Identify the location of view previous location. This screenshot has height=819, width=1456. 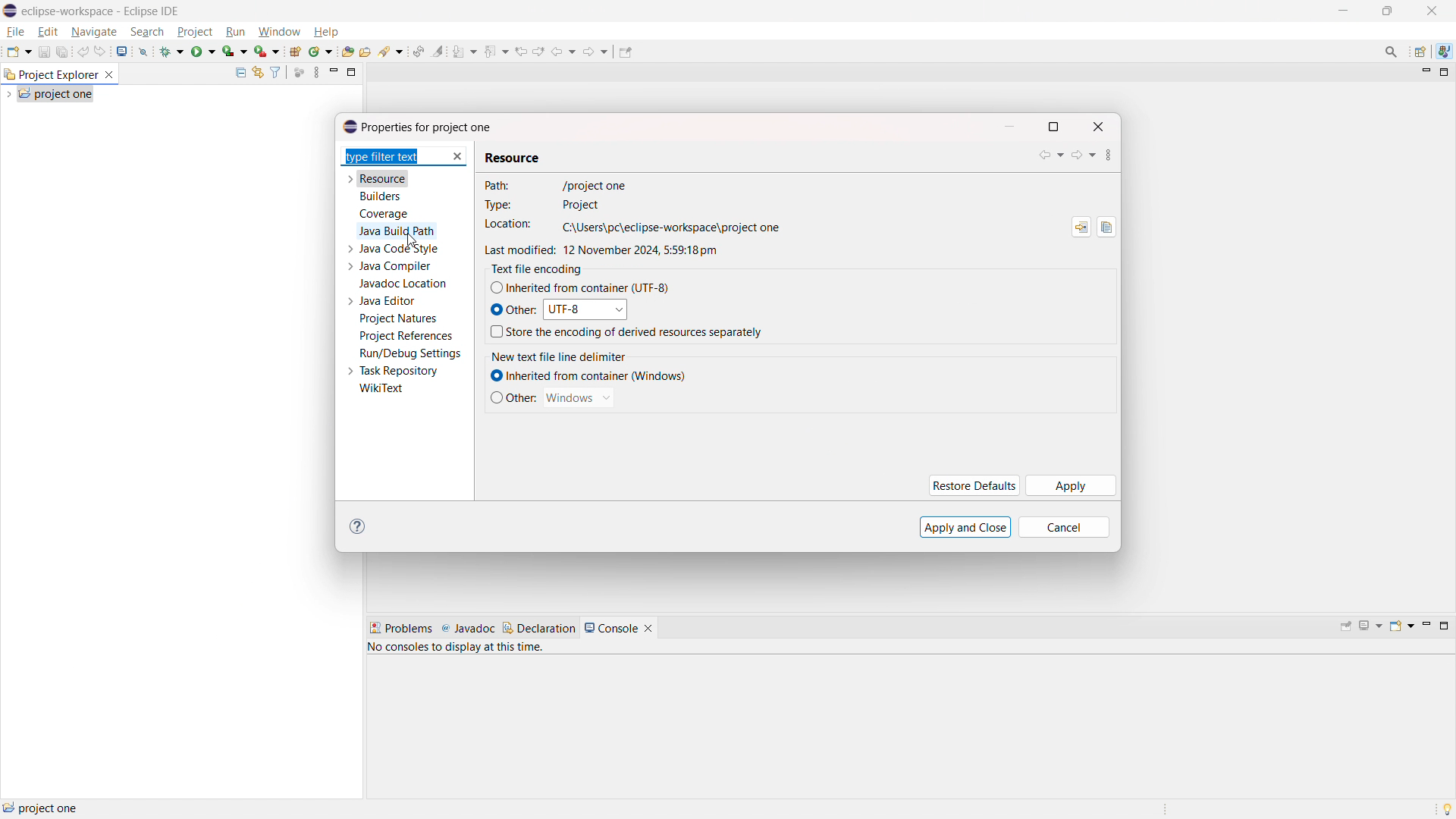
(521, 50).